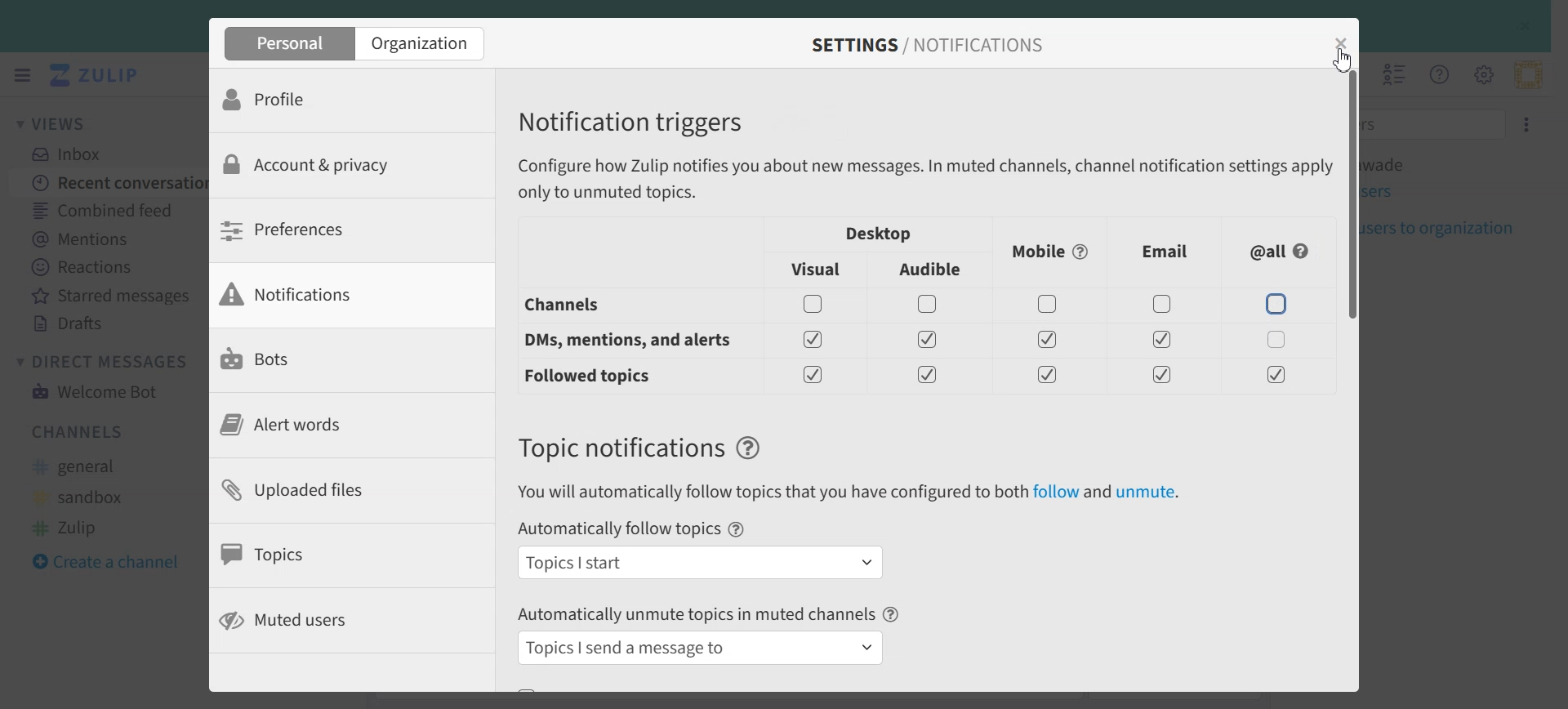  What do you see at coordinates (591, 377) in the screenshot?
I see `Followed topis` at bounding box center [591, 377].